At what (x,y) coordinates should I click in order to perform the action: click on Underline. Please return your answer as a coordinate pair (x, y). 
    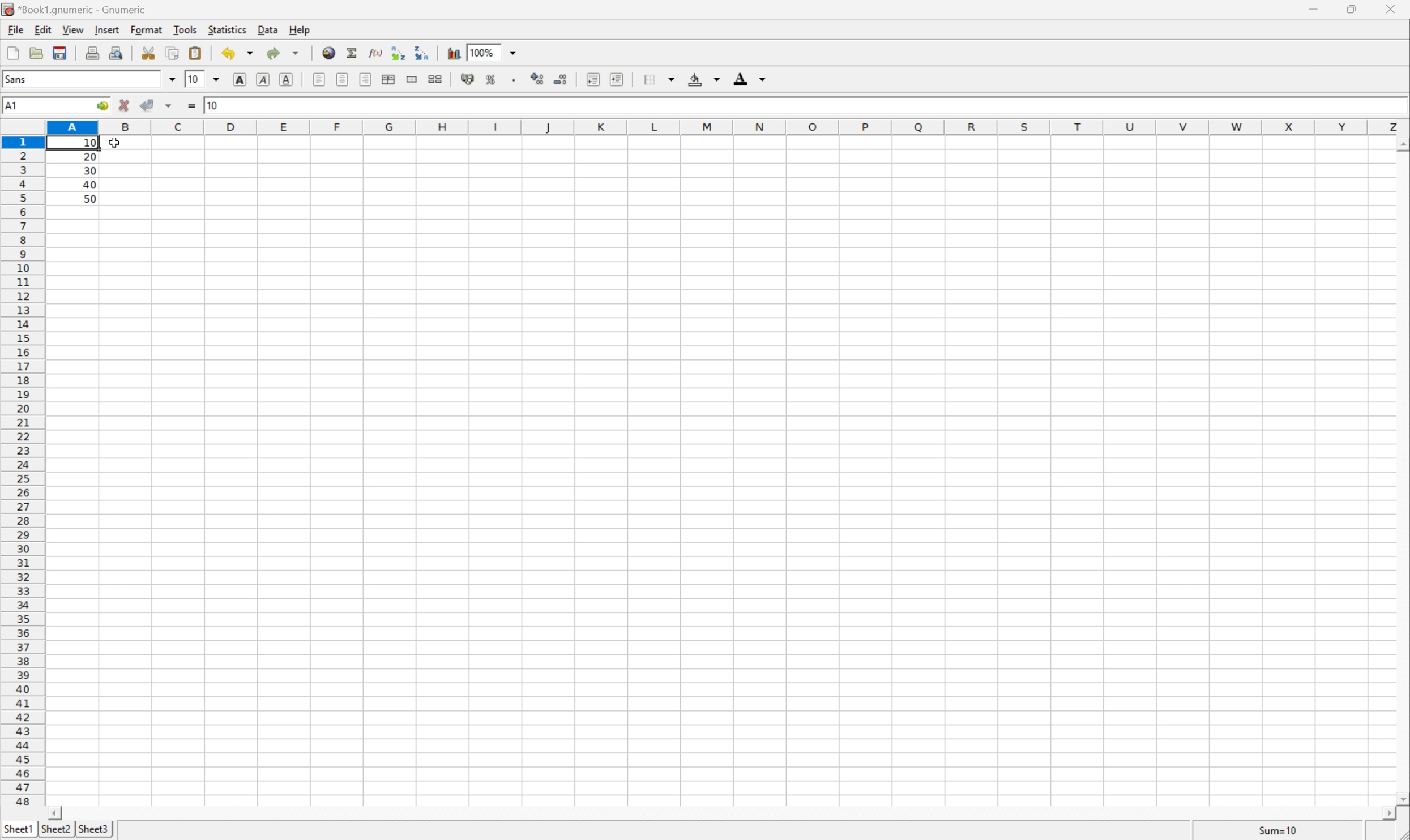
    Looking at the image, I should click on (287, 79).